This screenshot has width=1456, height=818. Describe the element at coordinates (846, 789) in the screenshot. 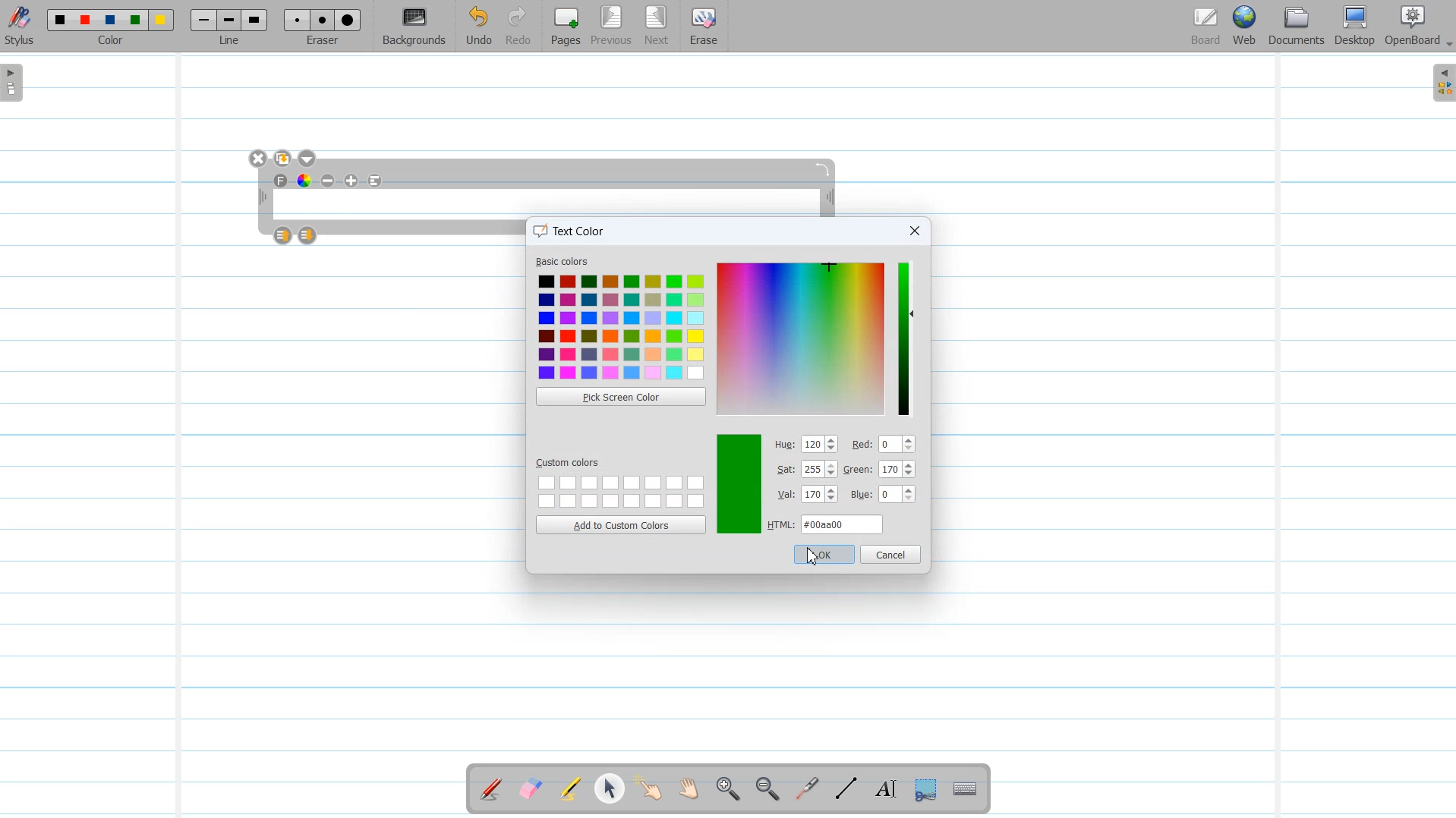

I see `Draw Lines` at that location.